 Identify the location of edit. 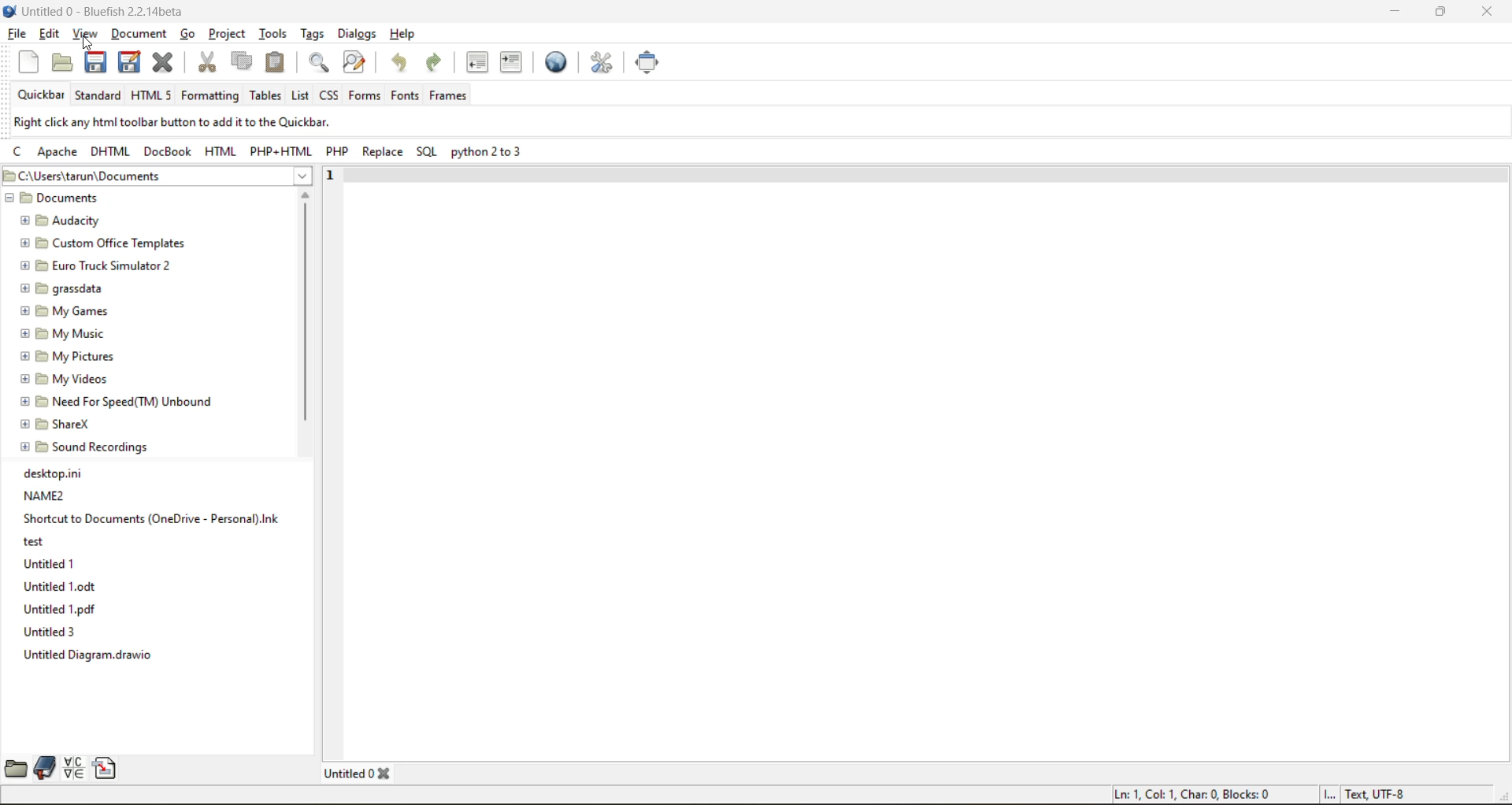
(51, 34).